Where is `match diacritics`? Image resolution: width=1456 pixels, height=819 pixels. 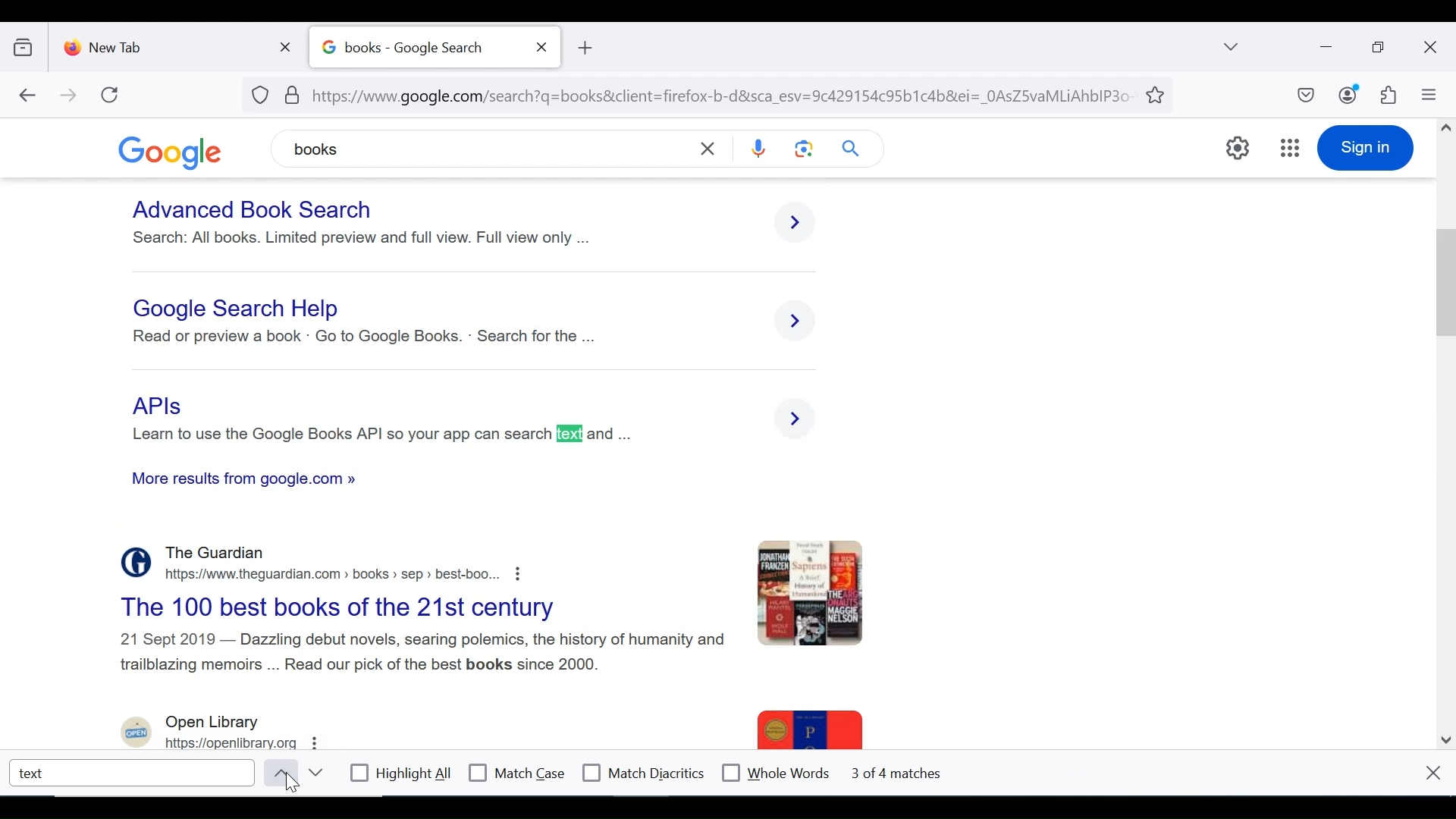
match diacritics is located at coordinates (644, 773).